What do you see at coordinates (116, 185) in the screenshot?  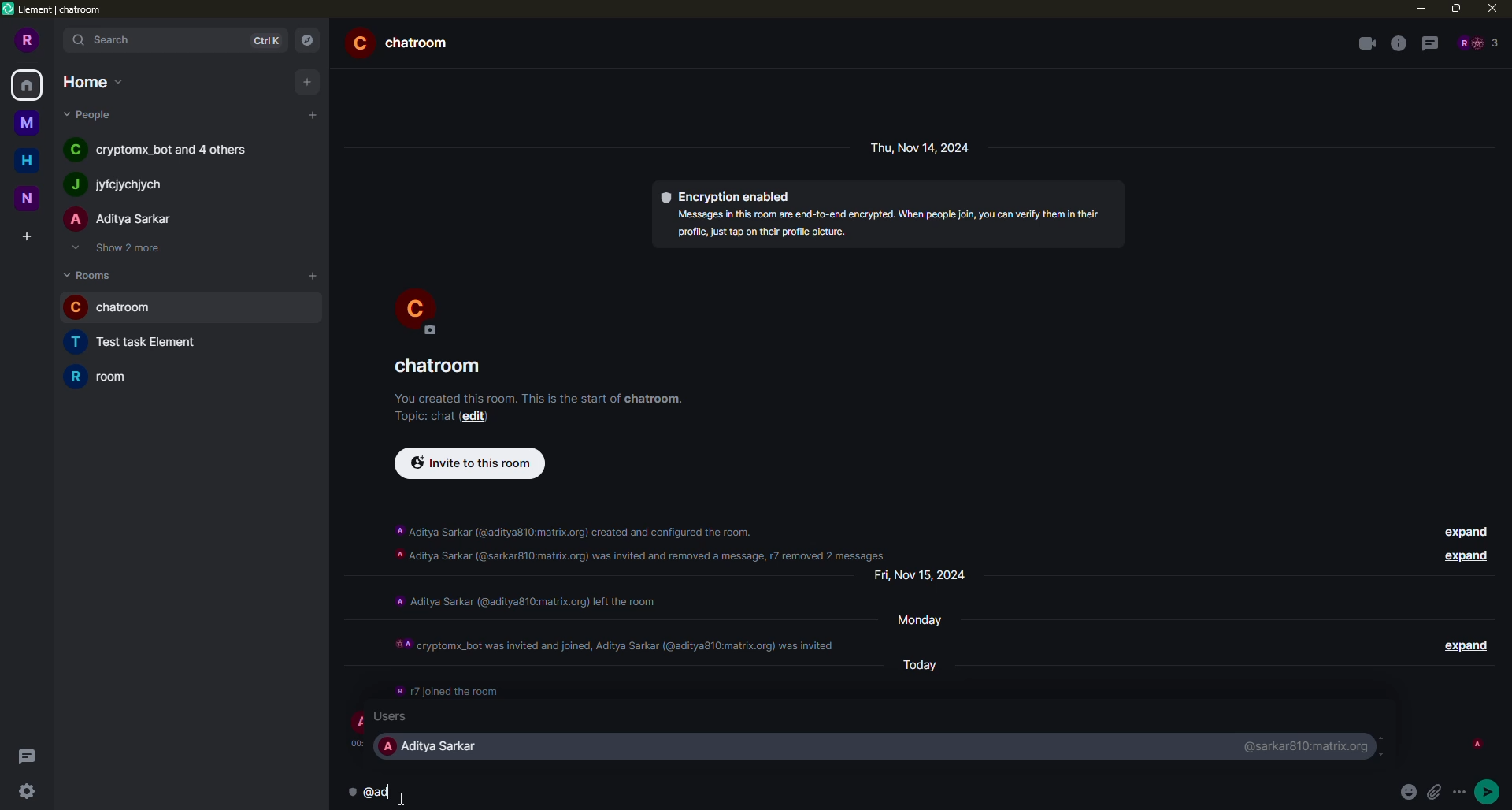 I see `people` at bounding box center [116, 185].